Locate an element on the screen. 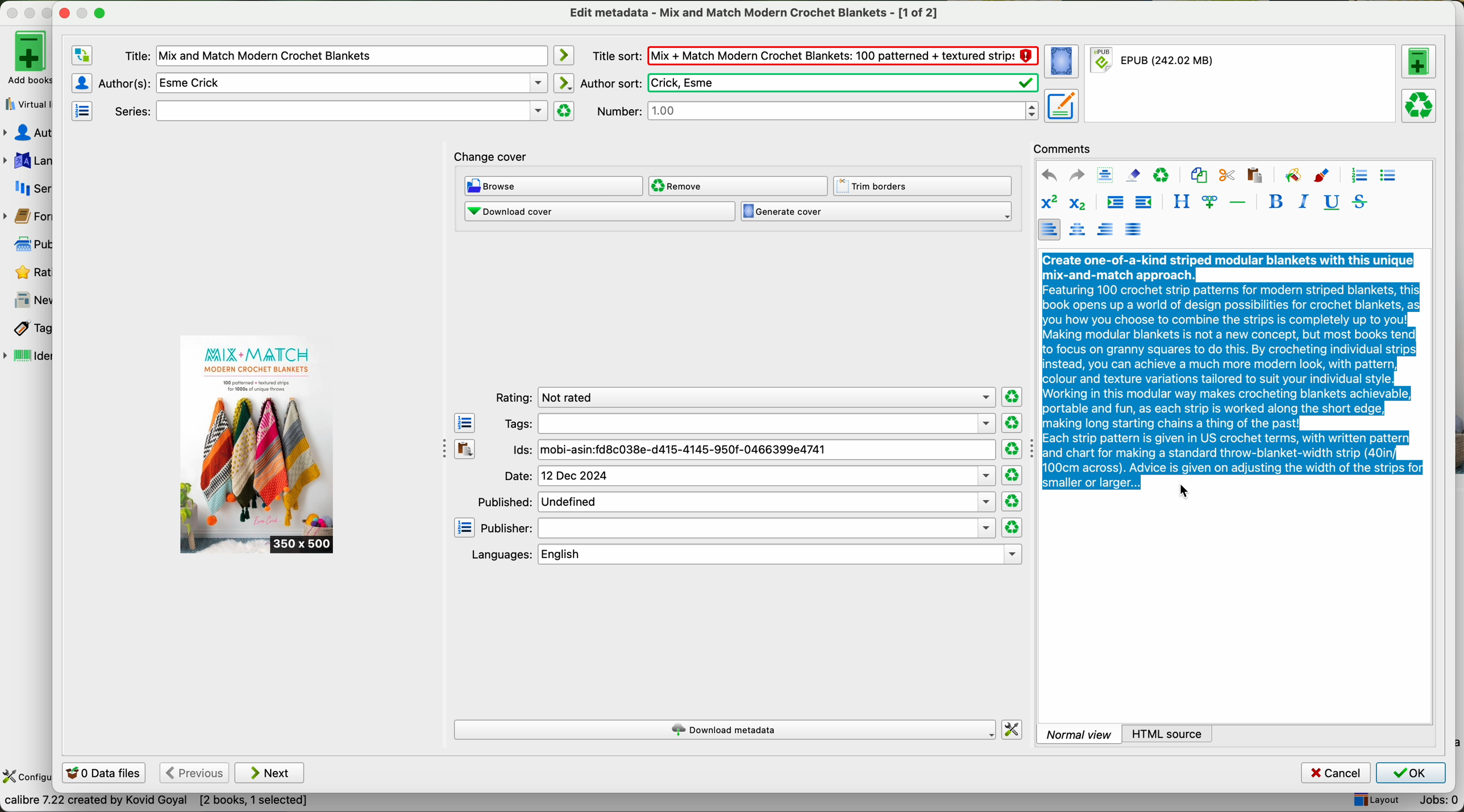  remove the selected format from this book is located at coordinates (1421, 105).